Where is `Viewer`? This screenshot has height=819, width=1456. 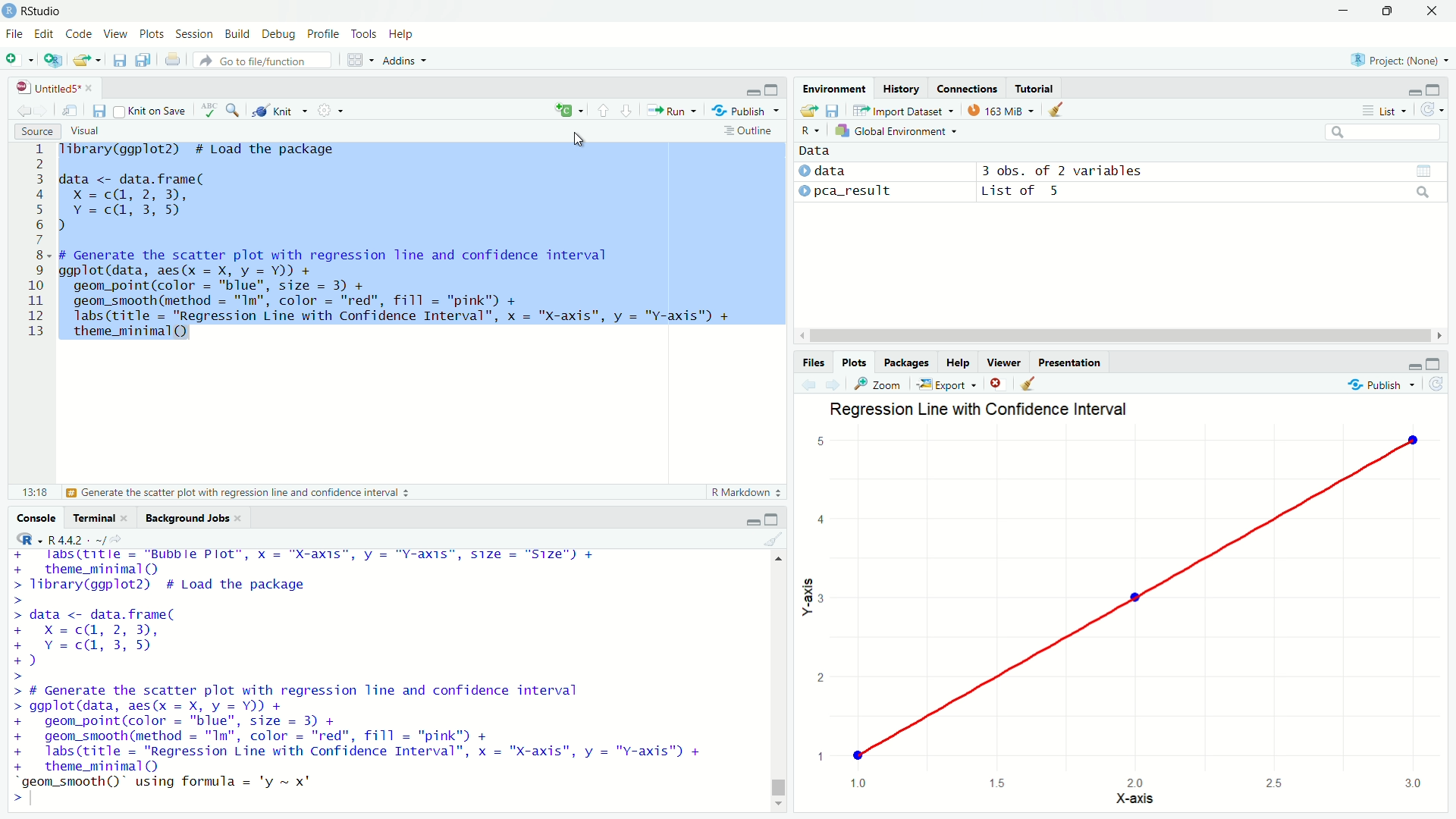
Viewer is located at coordinates (1004, 362).